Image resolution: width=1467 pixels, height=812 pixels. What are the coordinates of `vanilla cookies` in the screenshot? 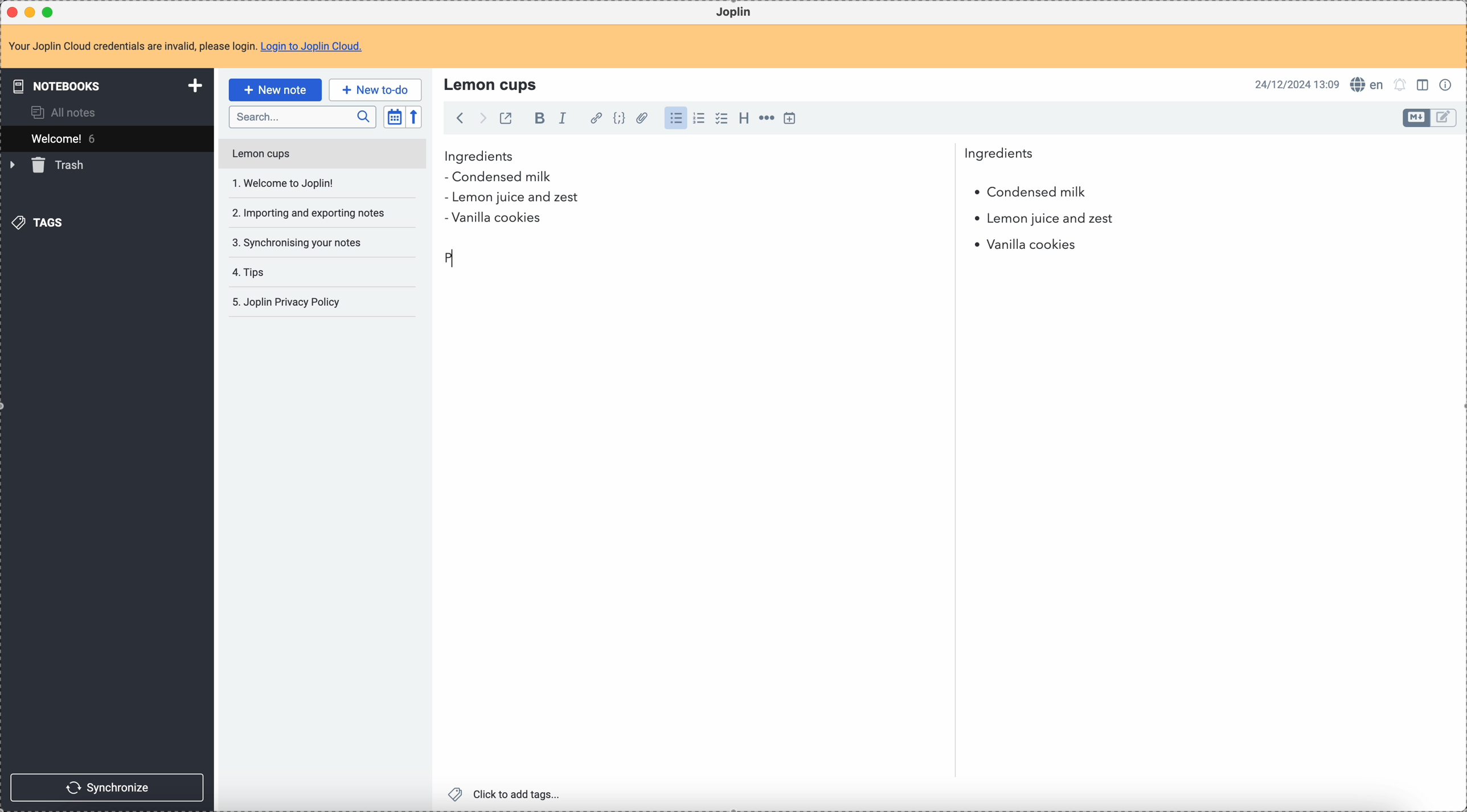 It's located at (1021, 245).